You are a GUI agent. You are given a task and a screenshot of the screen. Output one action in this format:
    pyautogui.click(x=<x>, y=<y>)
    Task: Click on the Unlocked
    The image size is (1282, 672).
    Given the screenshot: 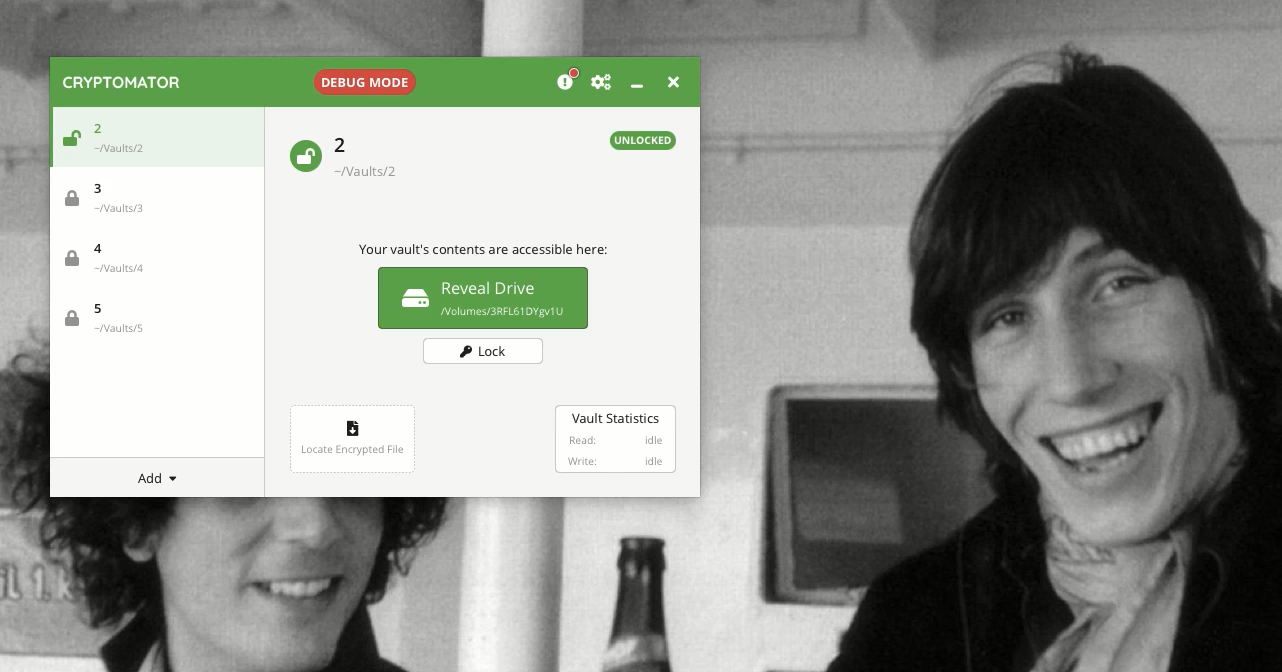 What is the action you would take?
    pyautogui.click(x=644, y=140)
    